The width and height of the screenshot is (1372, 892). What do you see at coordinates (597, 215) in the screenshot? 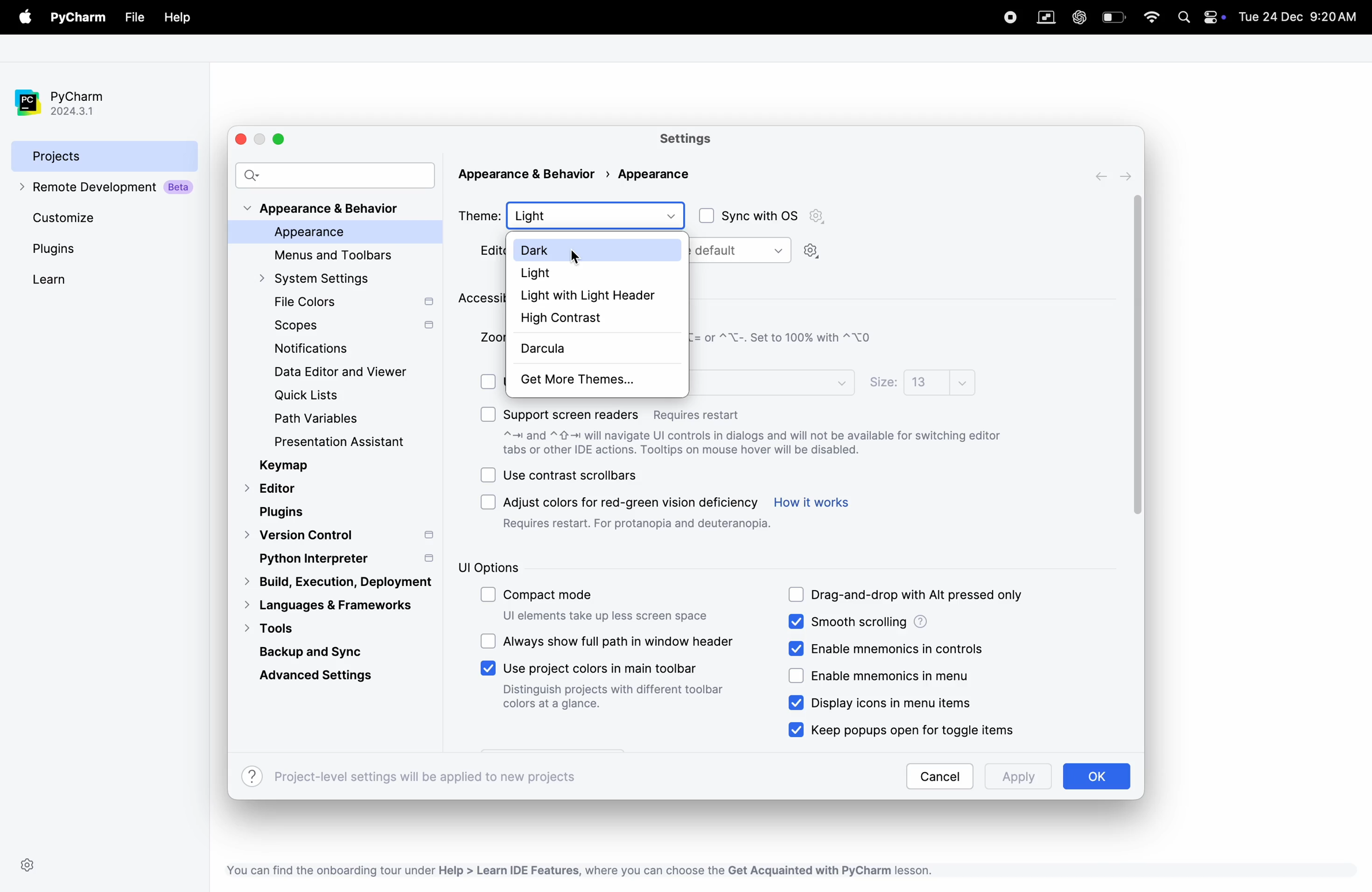
I see `light` at bounding box center [597, 215].